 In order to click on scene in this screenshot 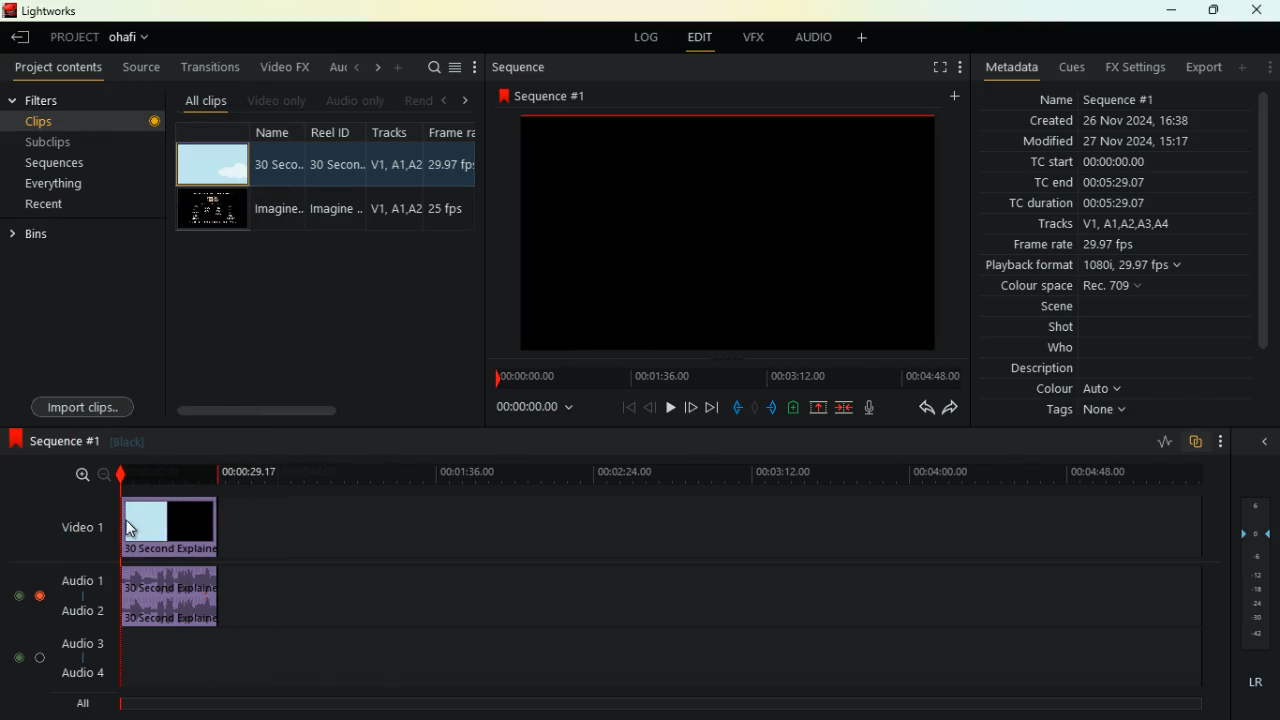, I will do `click(1035, 309)`.